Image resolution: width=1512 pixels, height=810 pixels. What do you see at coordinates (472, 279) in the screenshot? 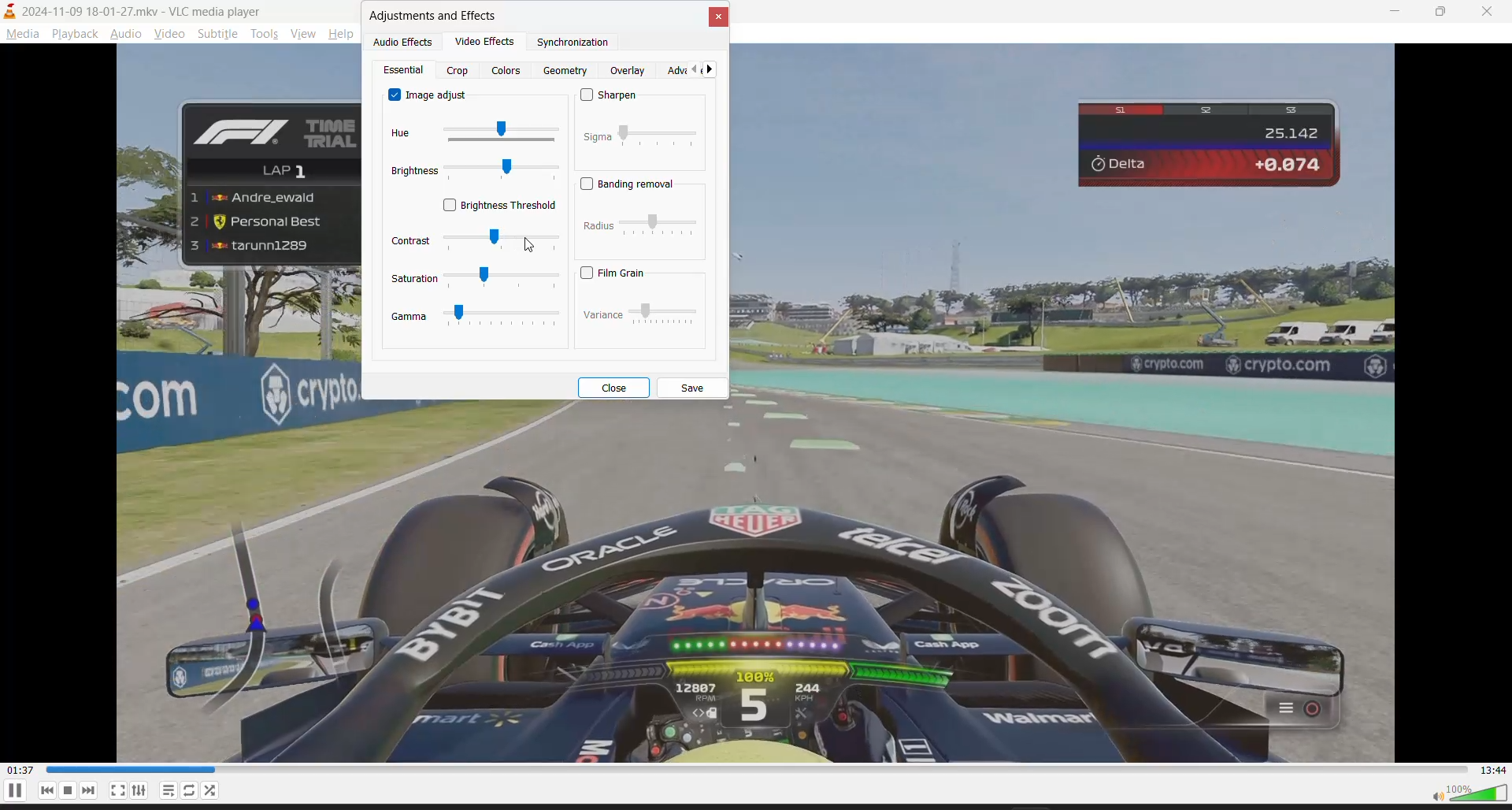
I see `saturation` at bounding box center [472, 279].